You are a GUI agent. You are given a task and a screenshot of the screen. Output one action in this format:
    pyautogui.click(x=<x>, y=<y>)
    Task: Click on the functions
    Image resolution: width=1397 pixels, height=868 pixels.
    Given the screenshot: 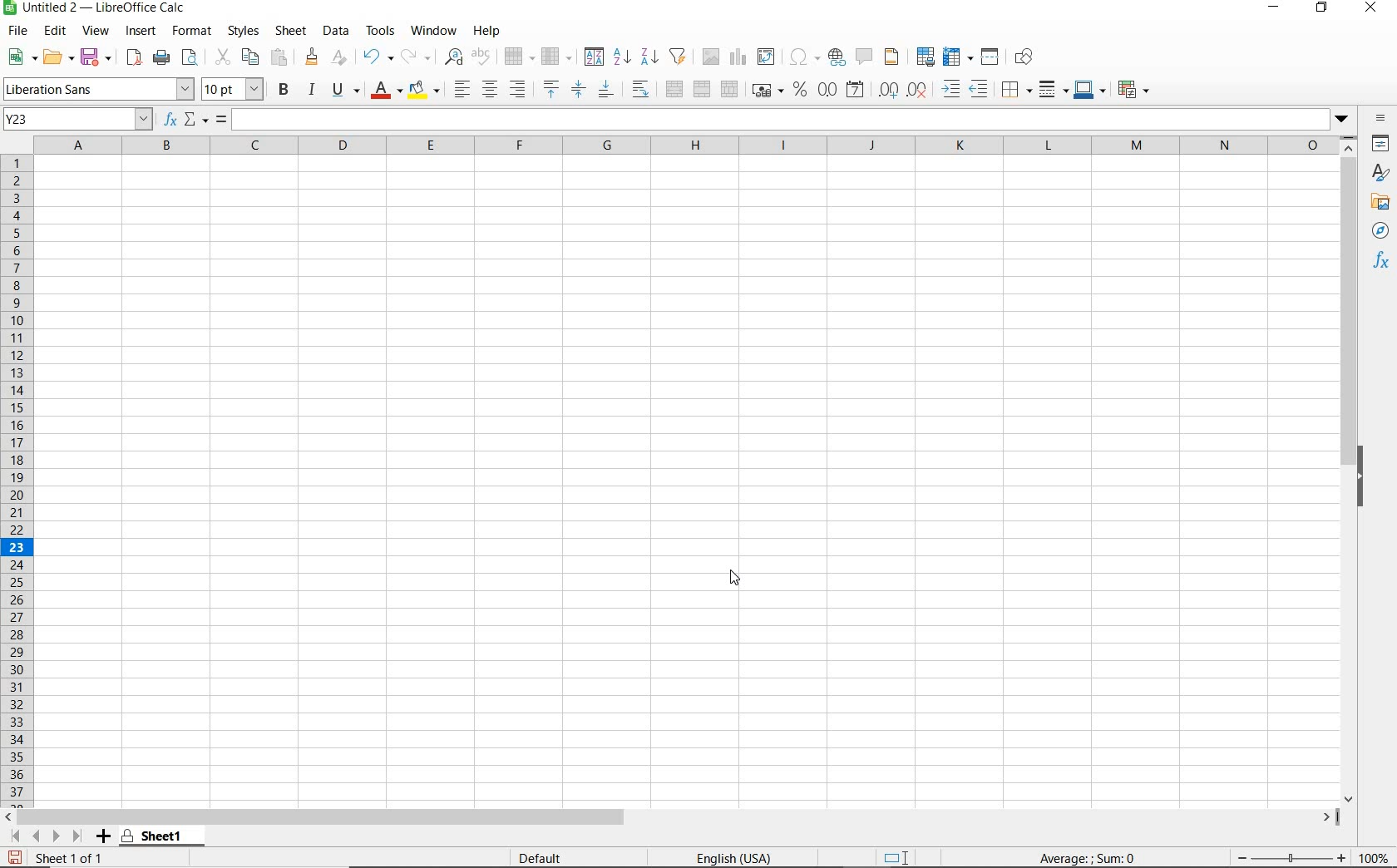 What is the action you would take?
    pyautogui.click(x=1379, y=264)
    